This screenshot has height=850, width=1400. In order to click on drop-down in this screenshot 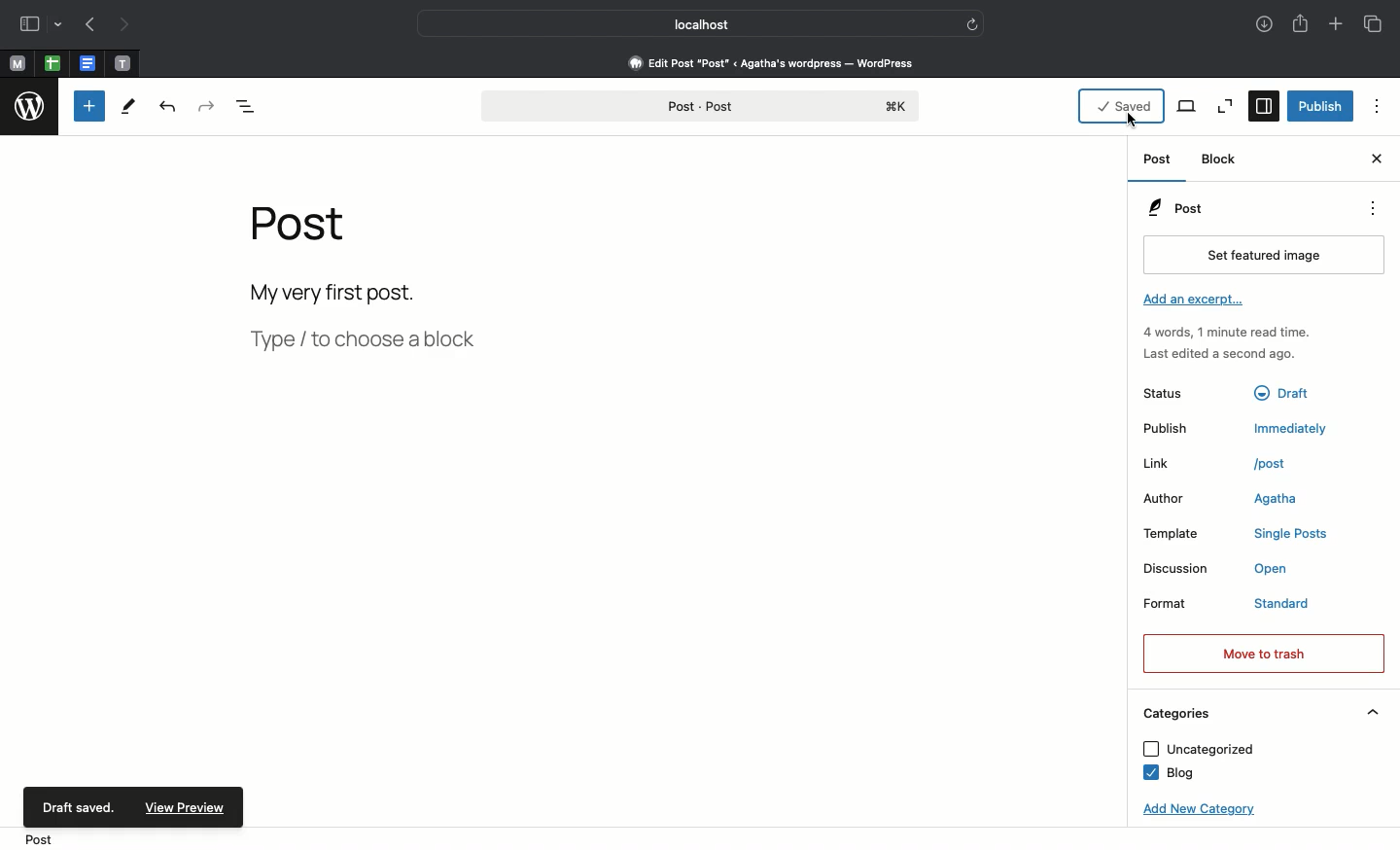, I will do `click(60, 26)`.